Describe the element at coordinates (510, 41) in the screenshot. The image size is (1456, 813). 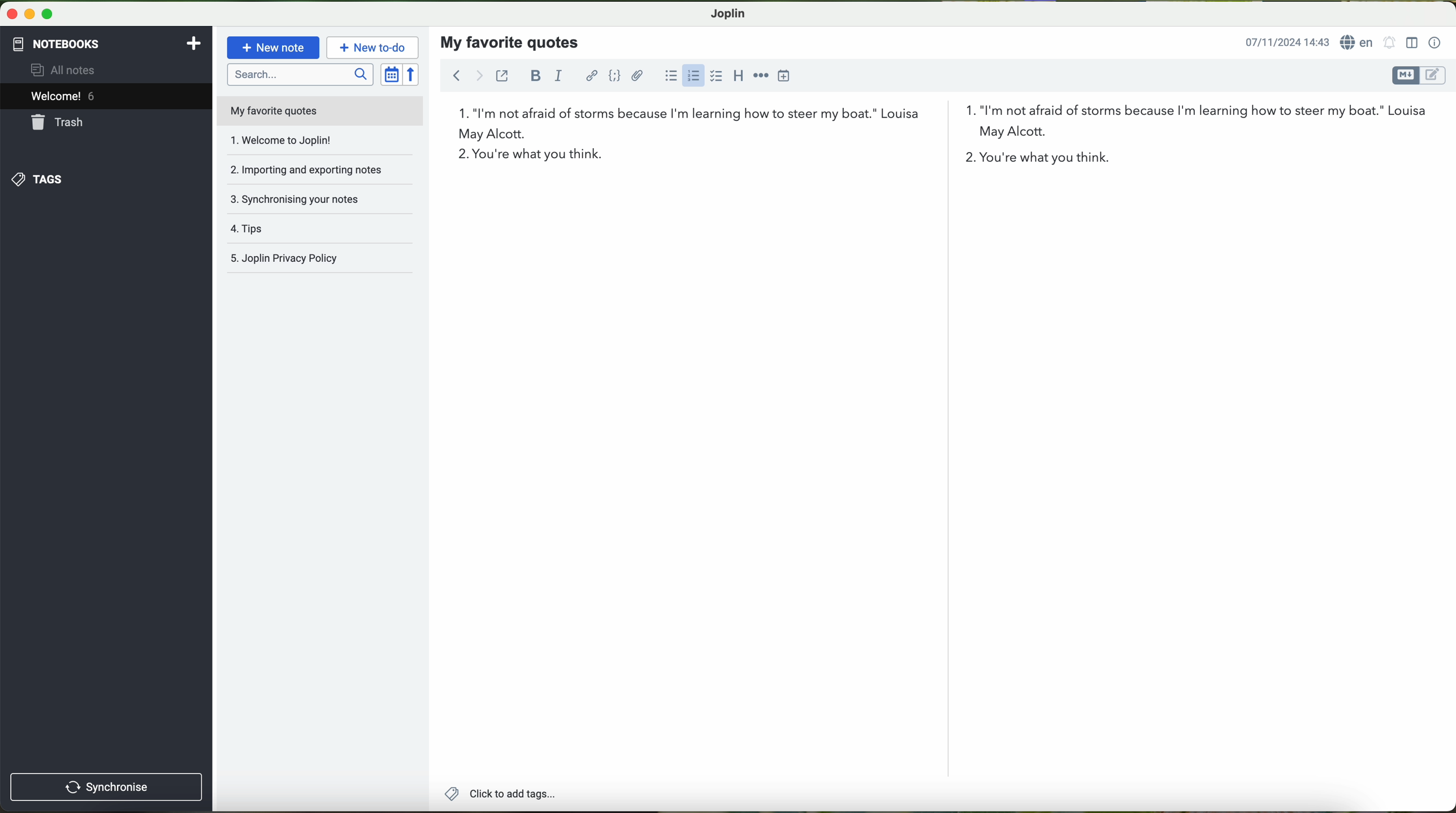
I see `my favorite quotes` at that location.